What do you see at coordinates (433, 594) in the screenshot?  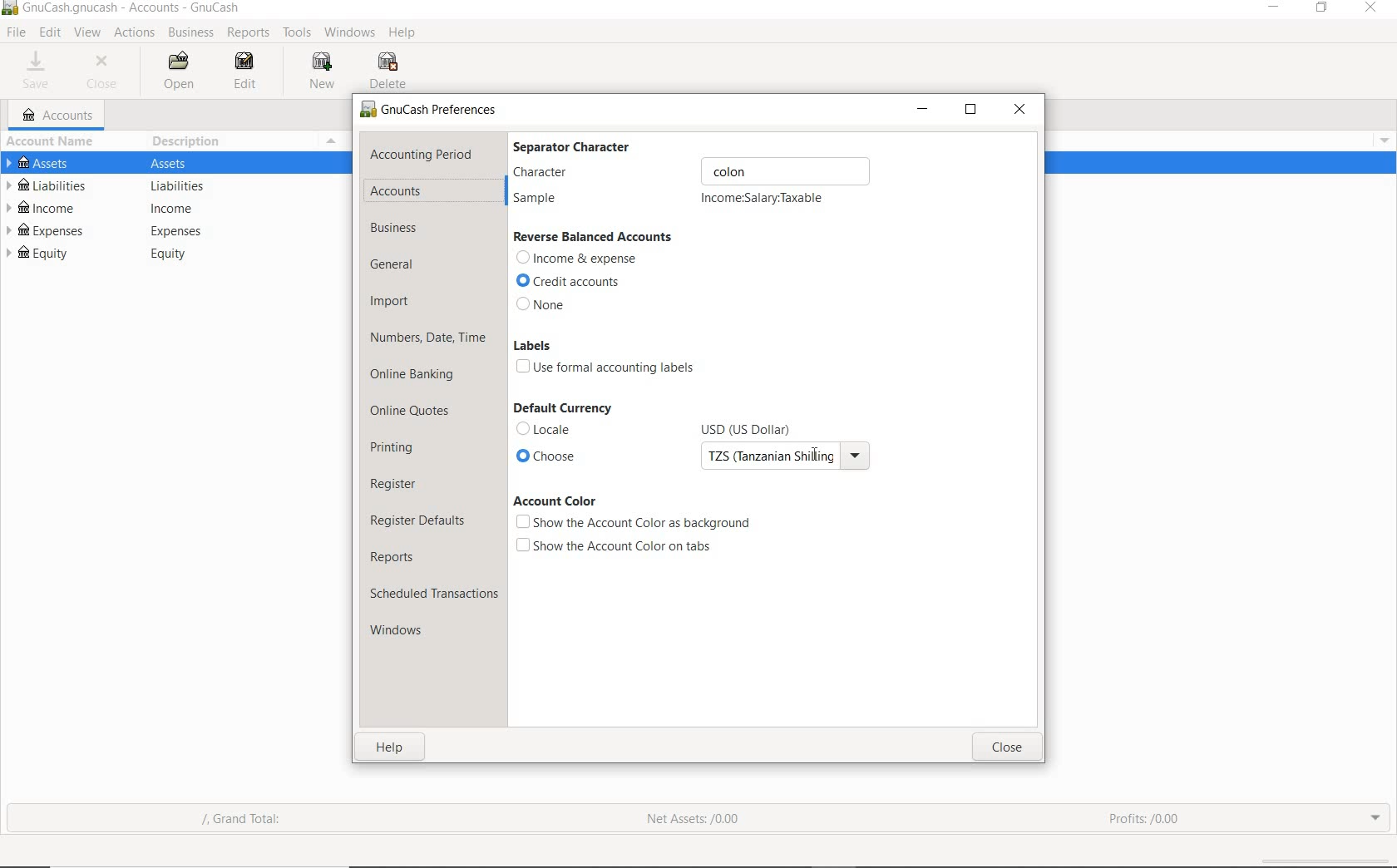 I see `scheduled transactions` at bounding box center [433, 594].